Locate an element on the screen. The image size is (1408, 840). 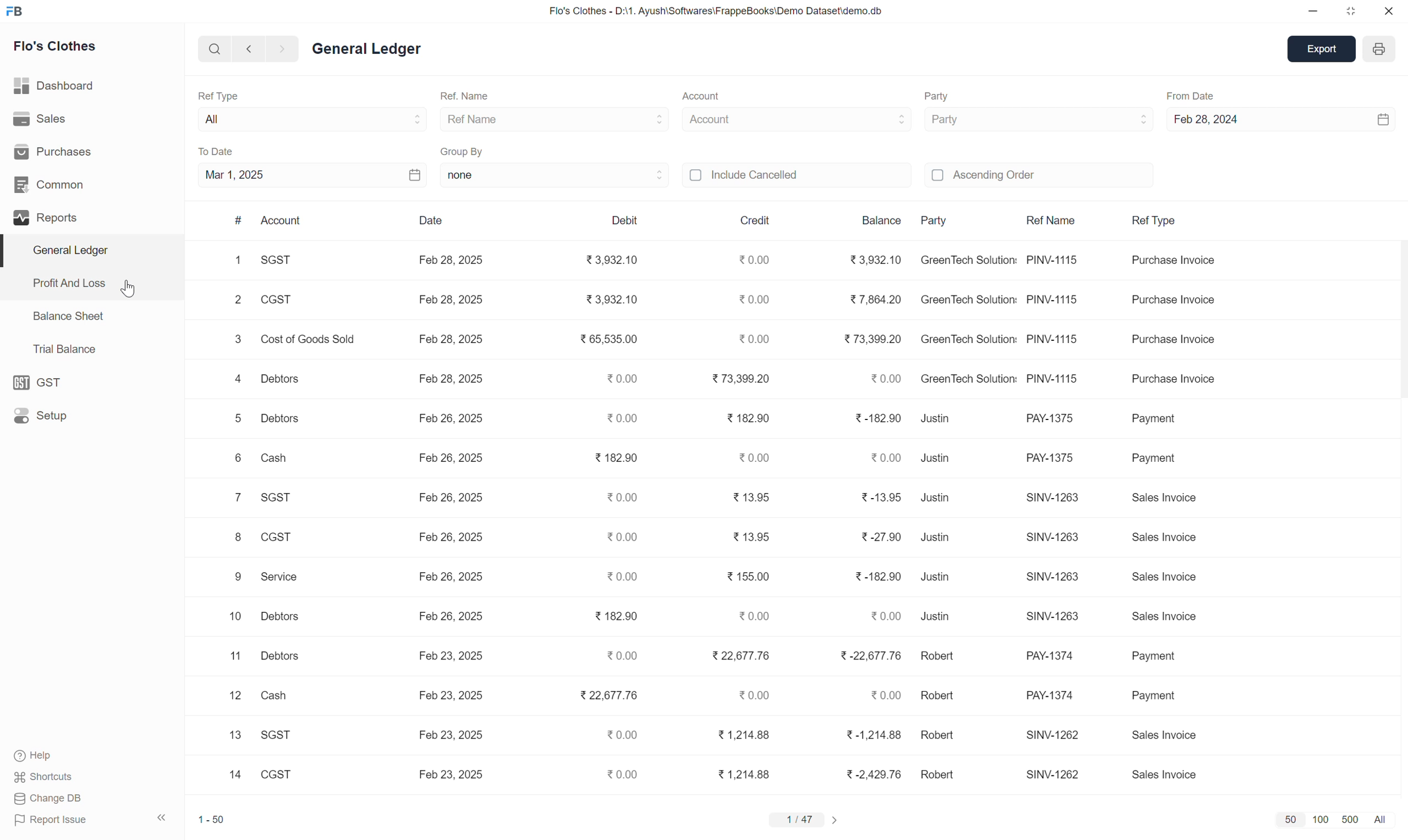
Purchases is located at coordinates (54, 155).